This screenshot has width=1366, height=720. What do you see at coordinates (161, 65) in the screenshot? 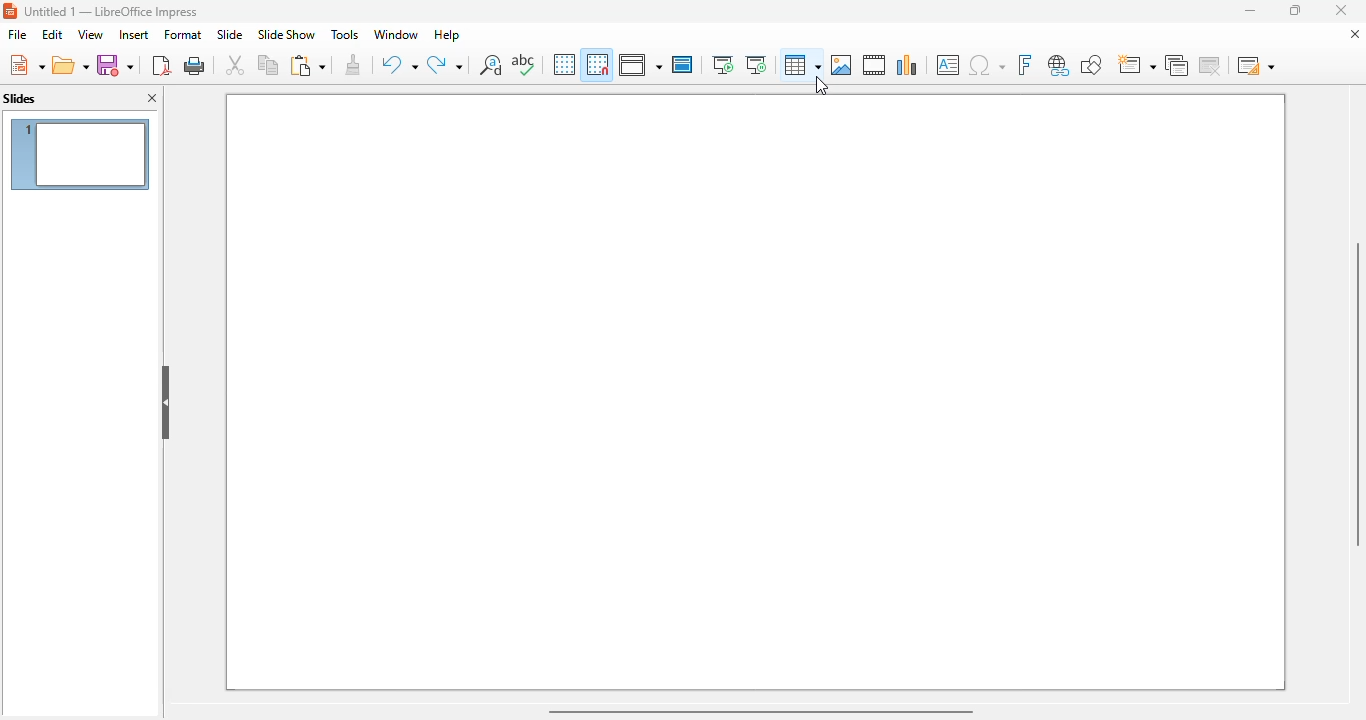
I see `export directly as PDF` at bounding box center [161, 65].